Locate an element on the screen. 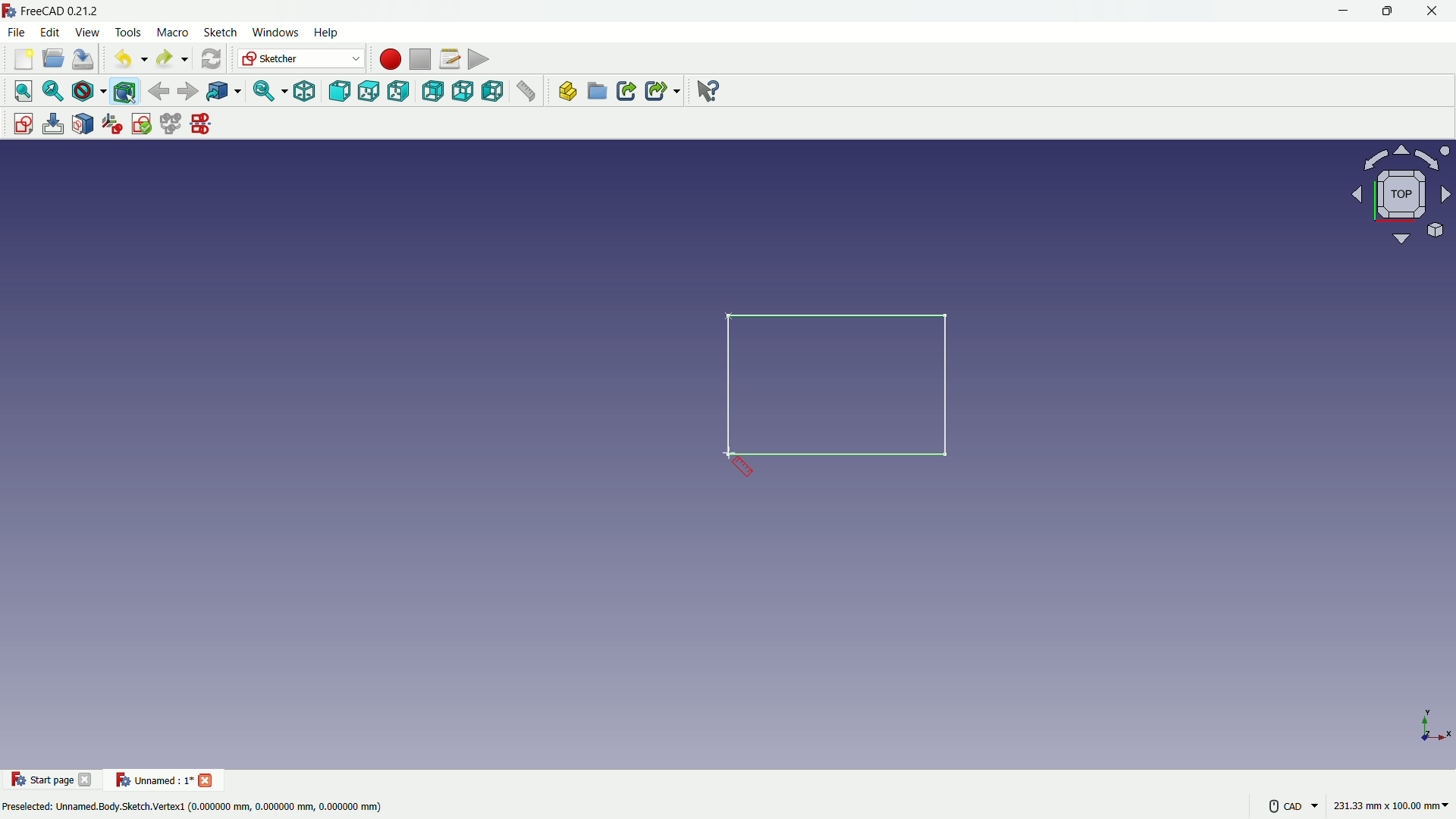 The width and height of the screenshot is (1456, 819). create sketch is located at coordinates (19, 122).